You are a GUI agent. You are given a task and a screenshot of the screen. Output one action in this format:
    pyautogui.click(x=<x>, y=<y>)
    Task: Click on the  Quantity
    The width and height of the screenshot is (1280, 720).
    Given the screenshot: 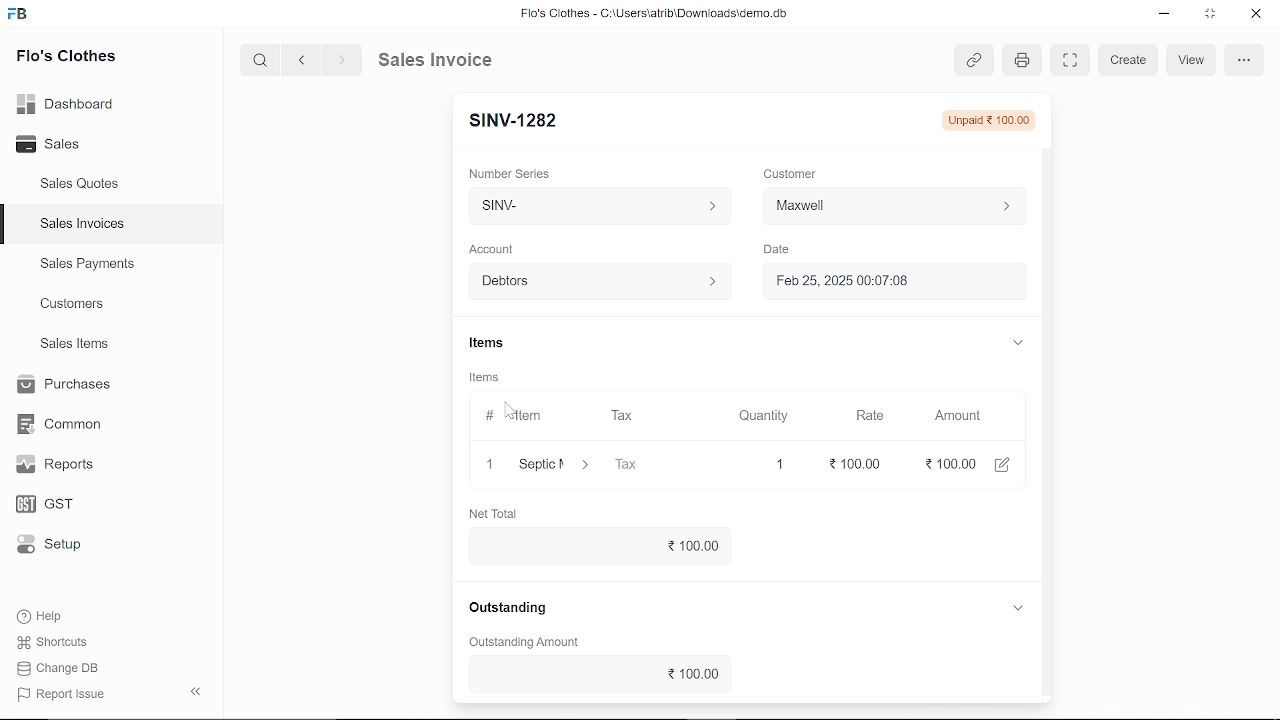 What is the action you would take?
    pyautogui.click(x=760, y=416)
    